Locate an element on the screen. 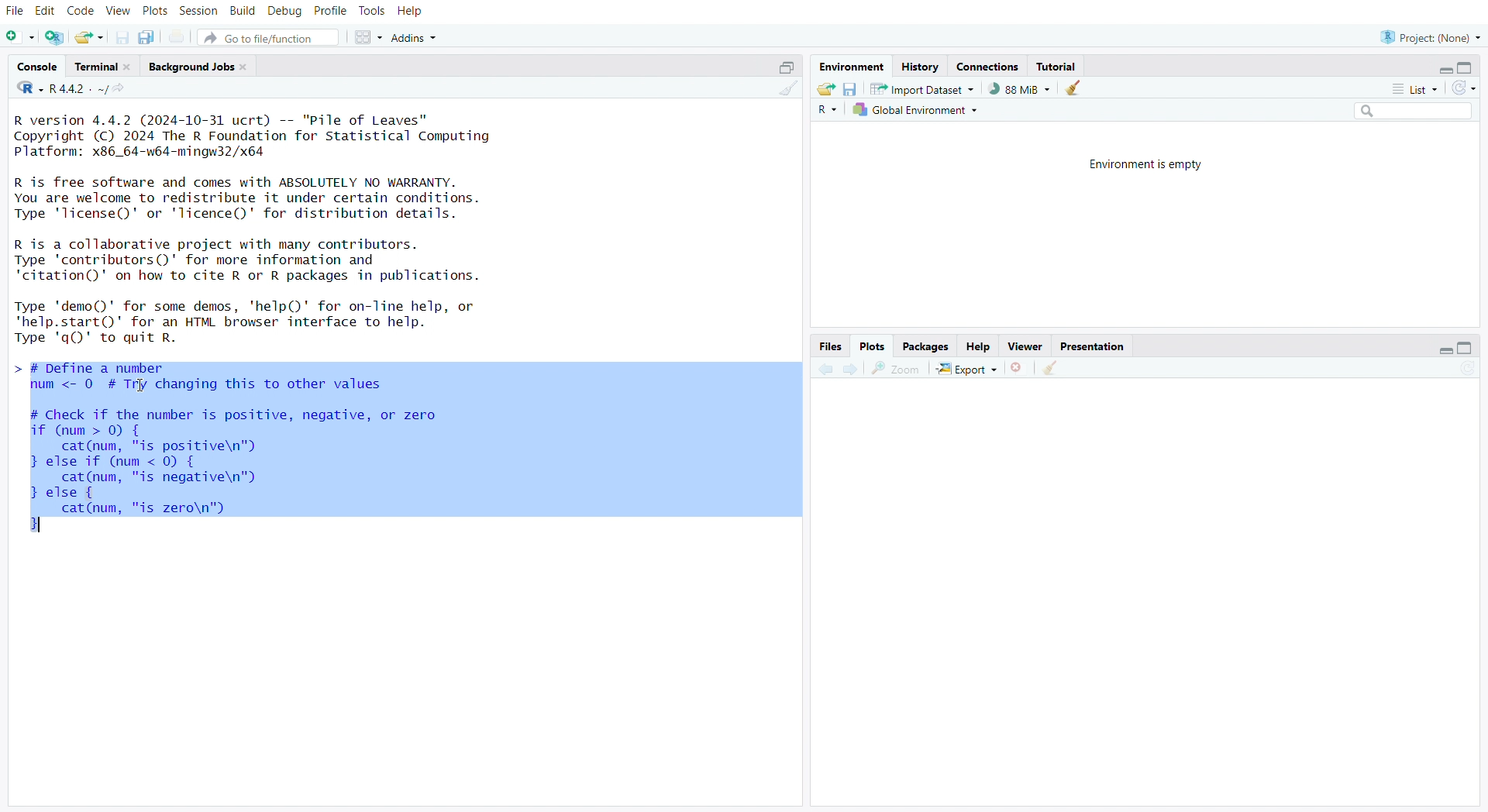 The image size is (1488, 812). global environment is located at coordinates (917, 112).